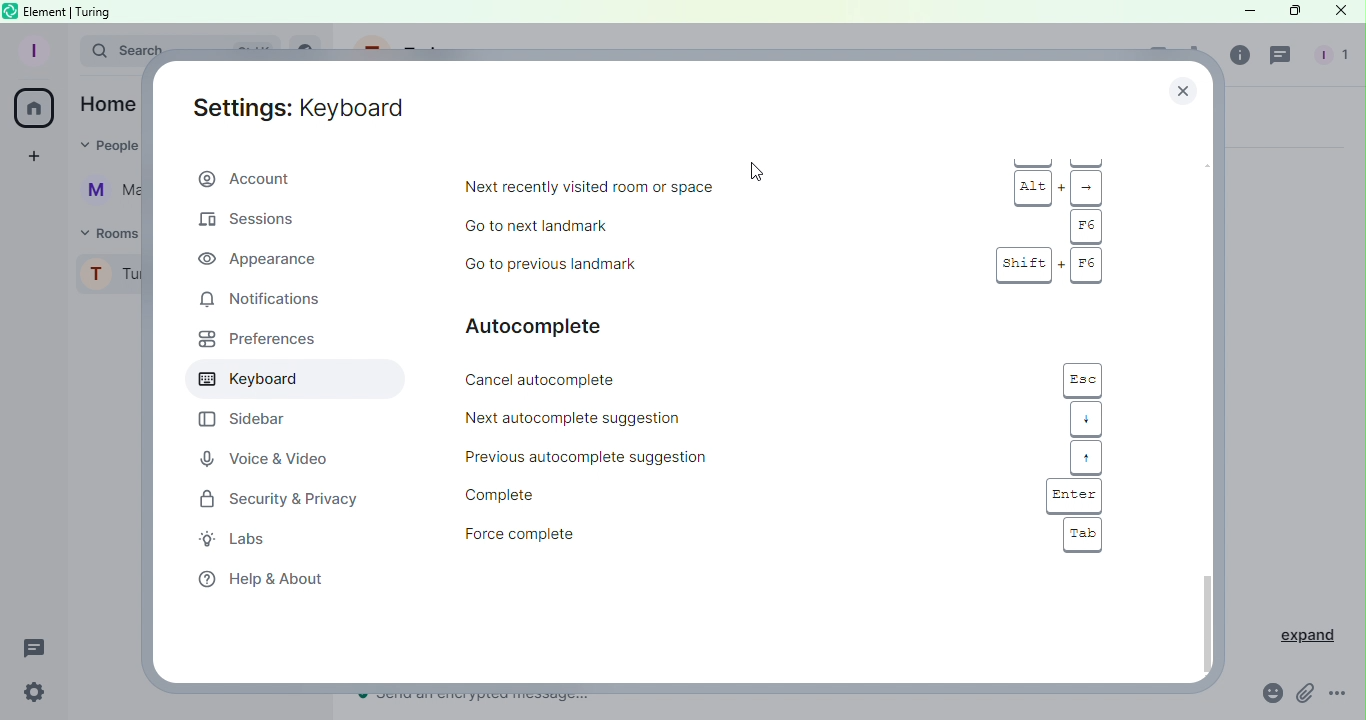 This screenshot has width=1366, height=720. I want to click on Minimize, so click(1247, 10).